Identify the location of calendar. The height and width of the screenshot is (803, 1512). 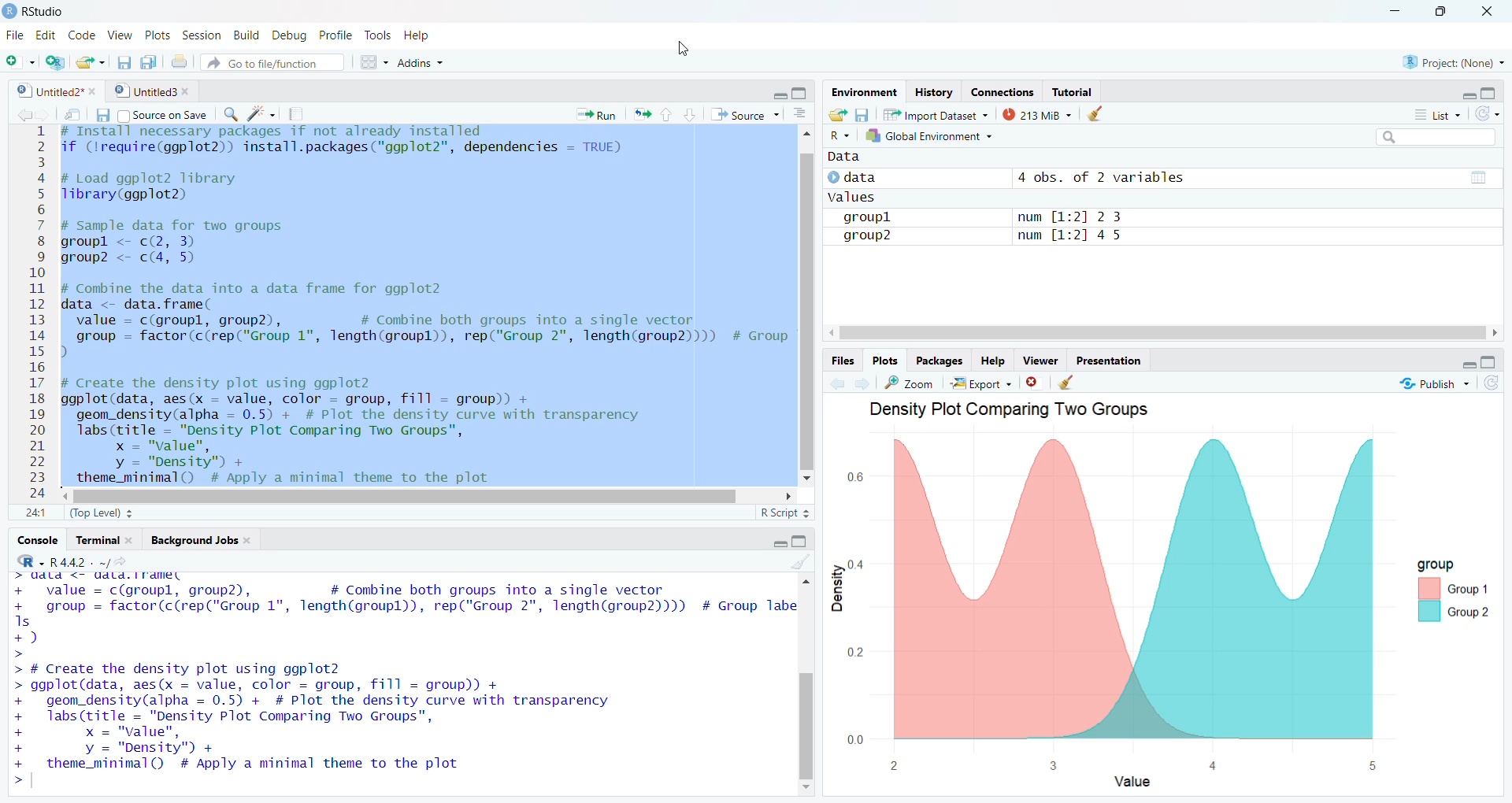
(1466, 178).